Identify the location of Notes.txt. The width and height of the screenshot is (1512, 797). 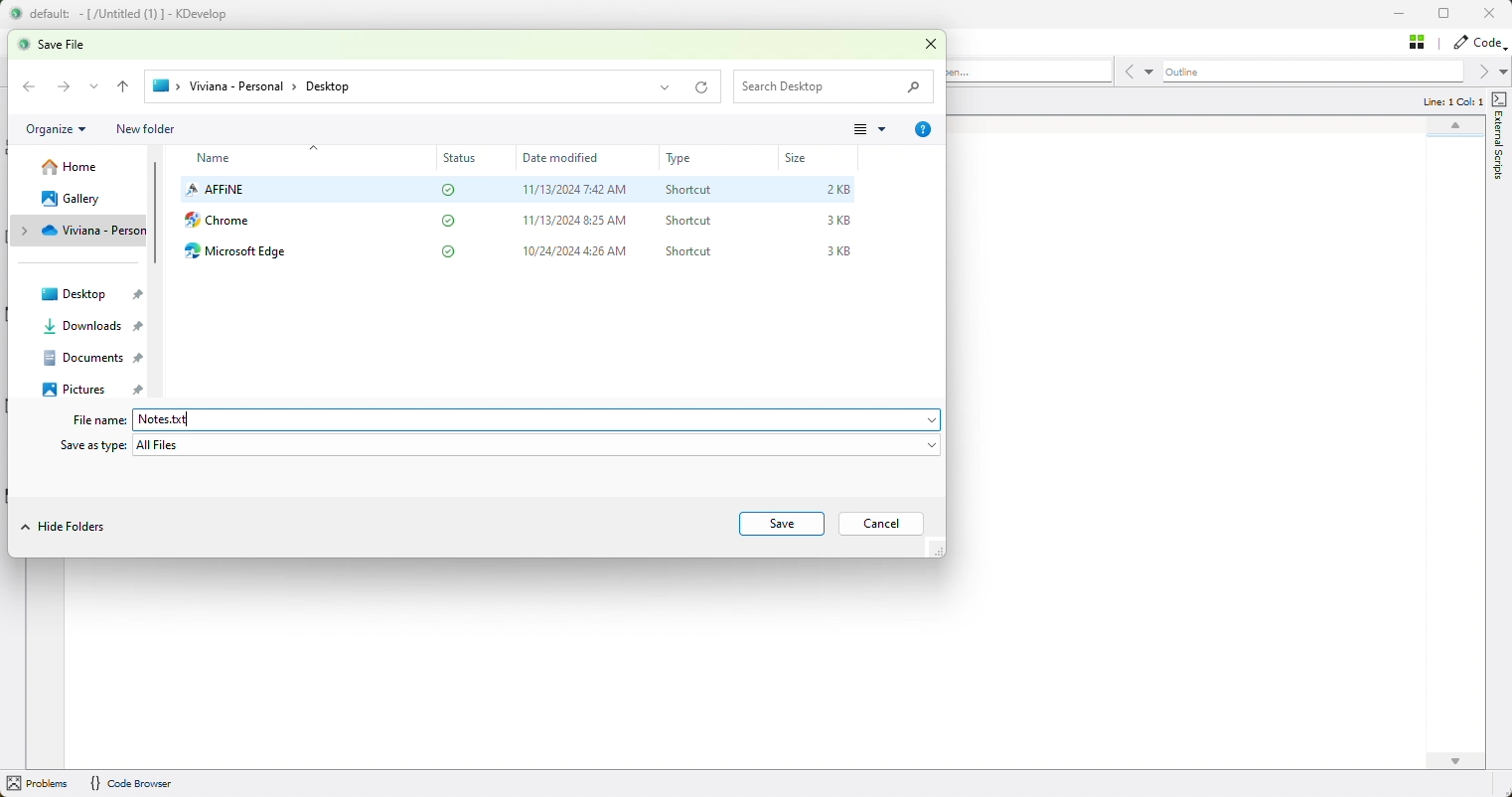
(163, 419).